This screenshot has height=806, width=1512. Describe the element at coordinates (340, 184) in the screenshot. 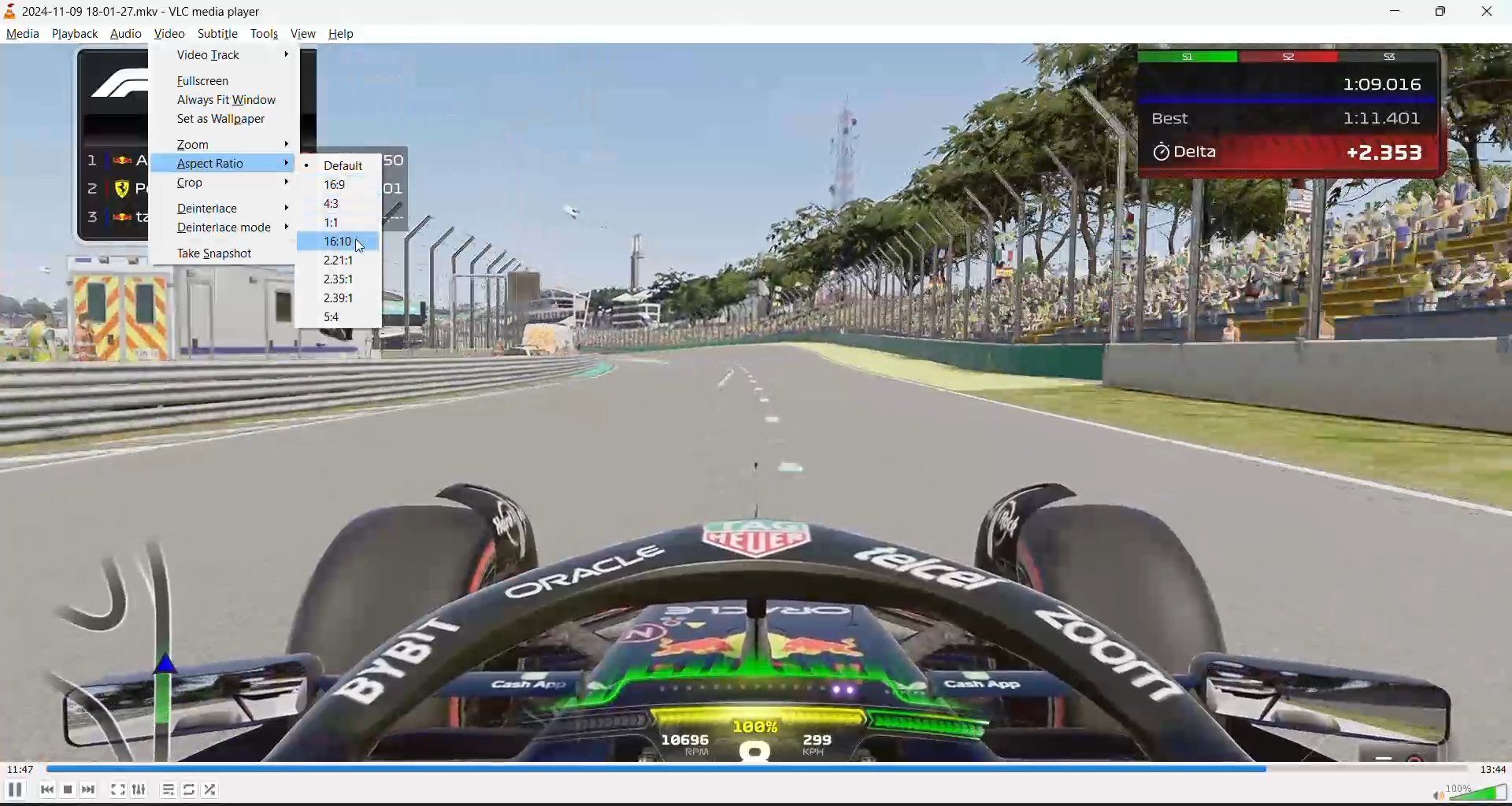

I see `16:9` at that location.